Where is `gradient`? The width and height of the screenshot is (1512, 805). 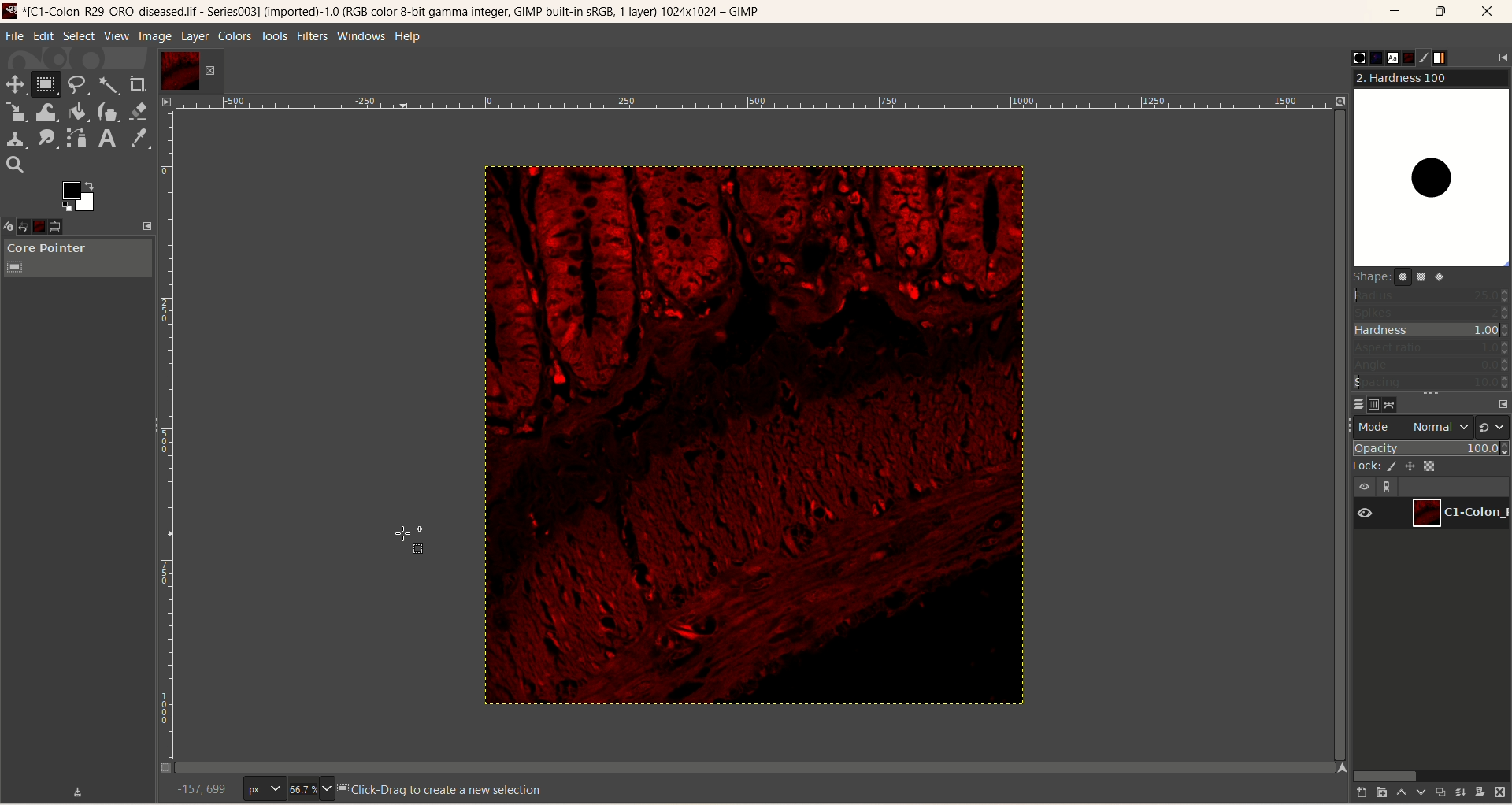
gradient is located at coordinates (1450, 58).